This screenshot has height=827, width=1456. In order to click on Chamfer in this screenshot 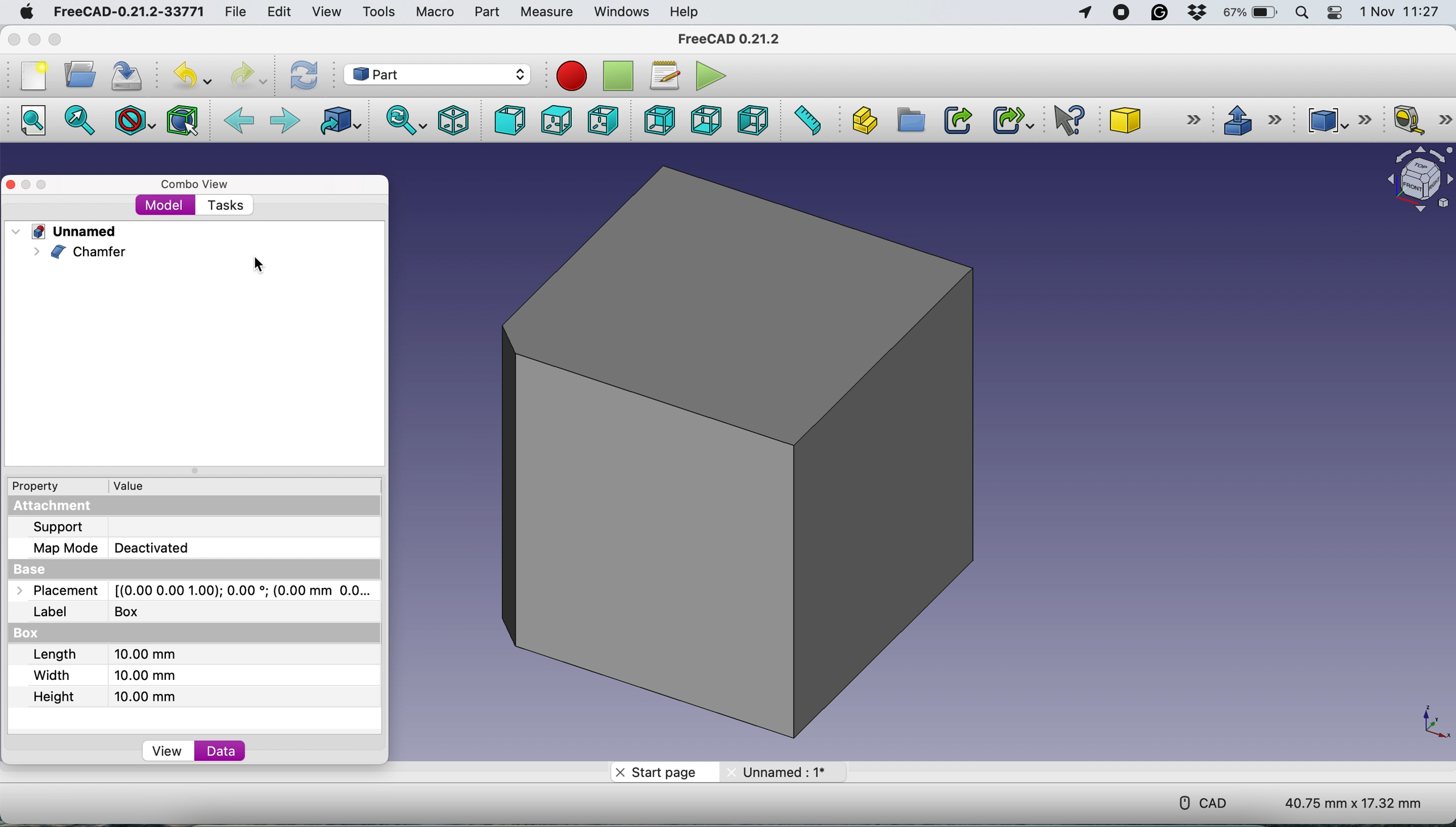, I will do `click(92, 252)`.